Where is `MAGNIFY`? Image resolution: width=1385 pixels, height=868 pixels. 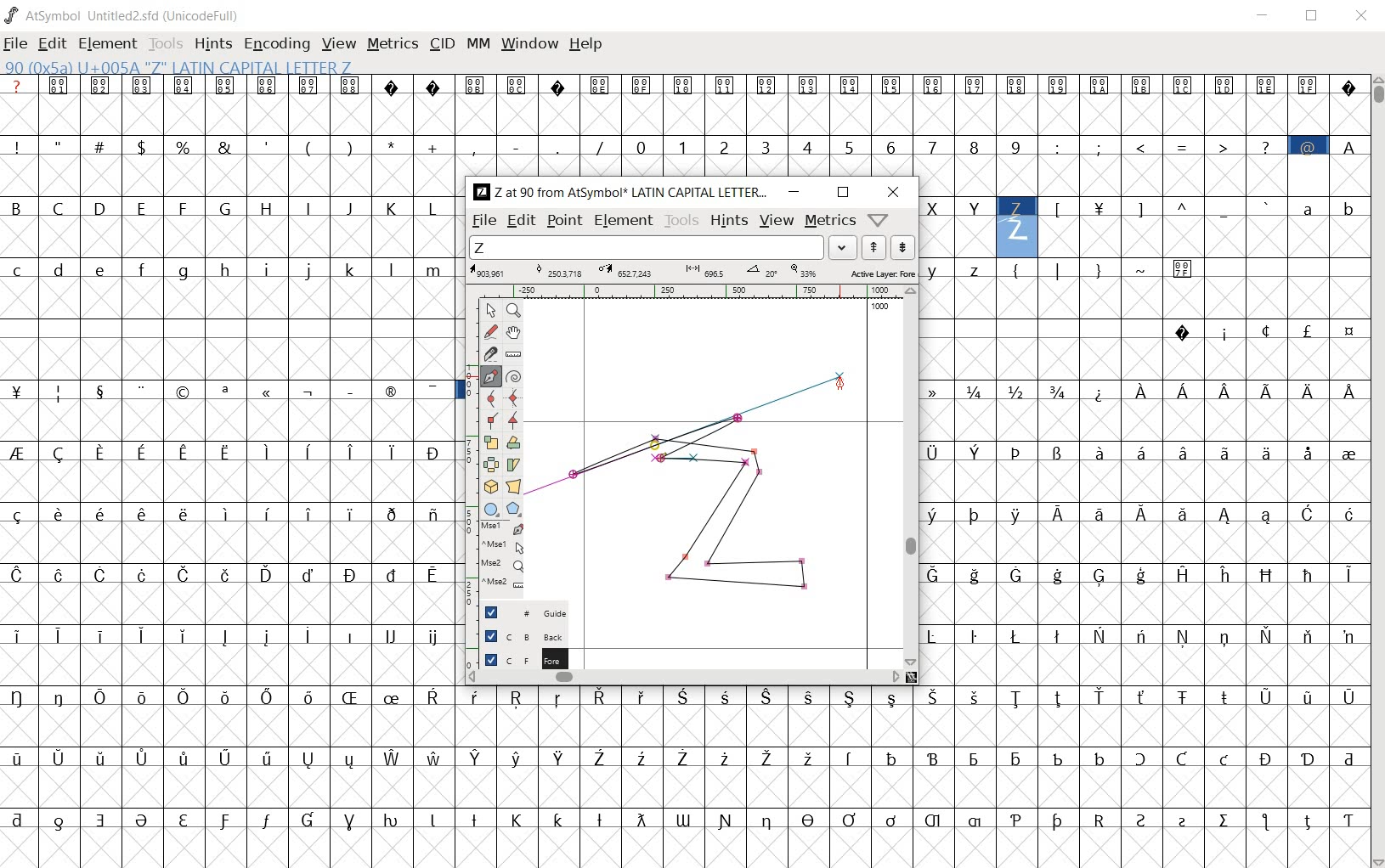 MAGNIFY is located at coordinates (513, 311).